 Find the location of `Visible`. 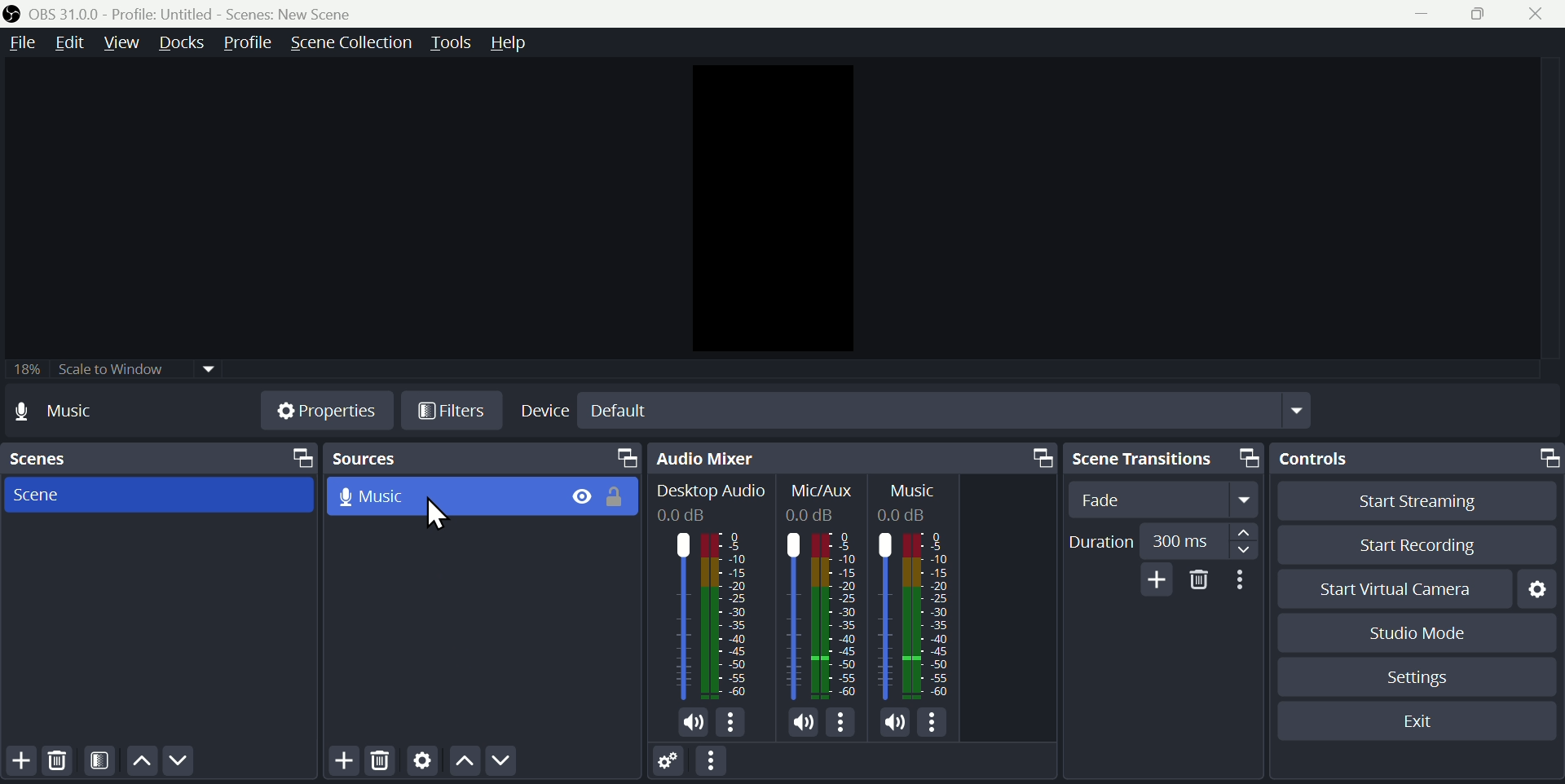

Visible is located at coordinates (582, 496).